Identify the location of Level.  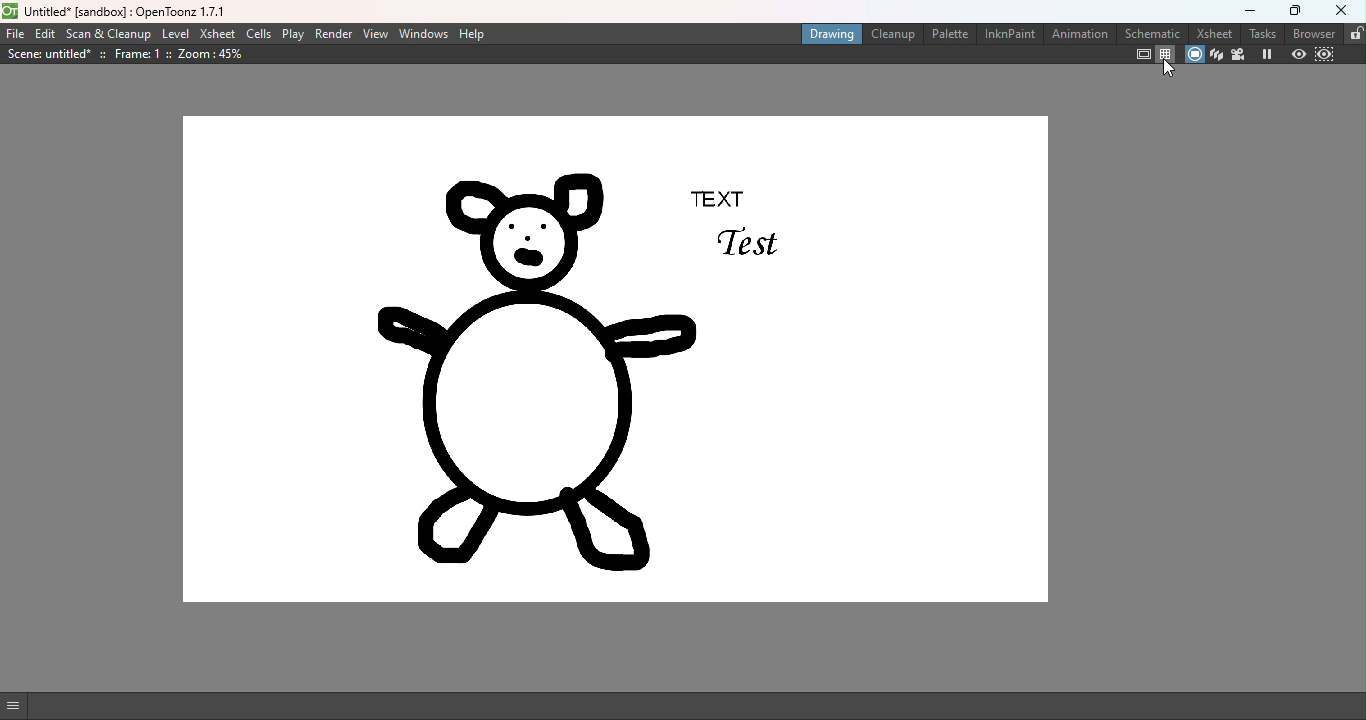
(175, 35).